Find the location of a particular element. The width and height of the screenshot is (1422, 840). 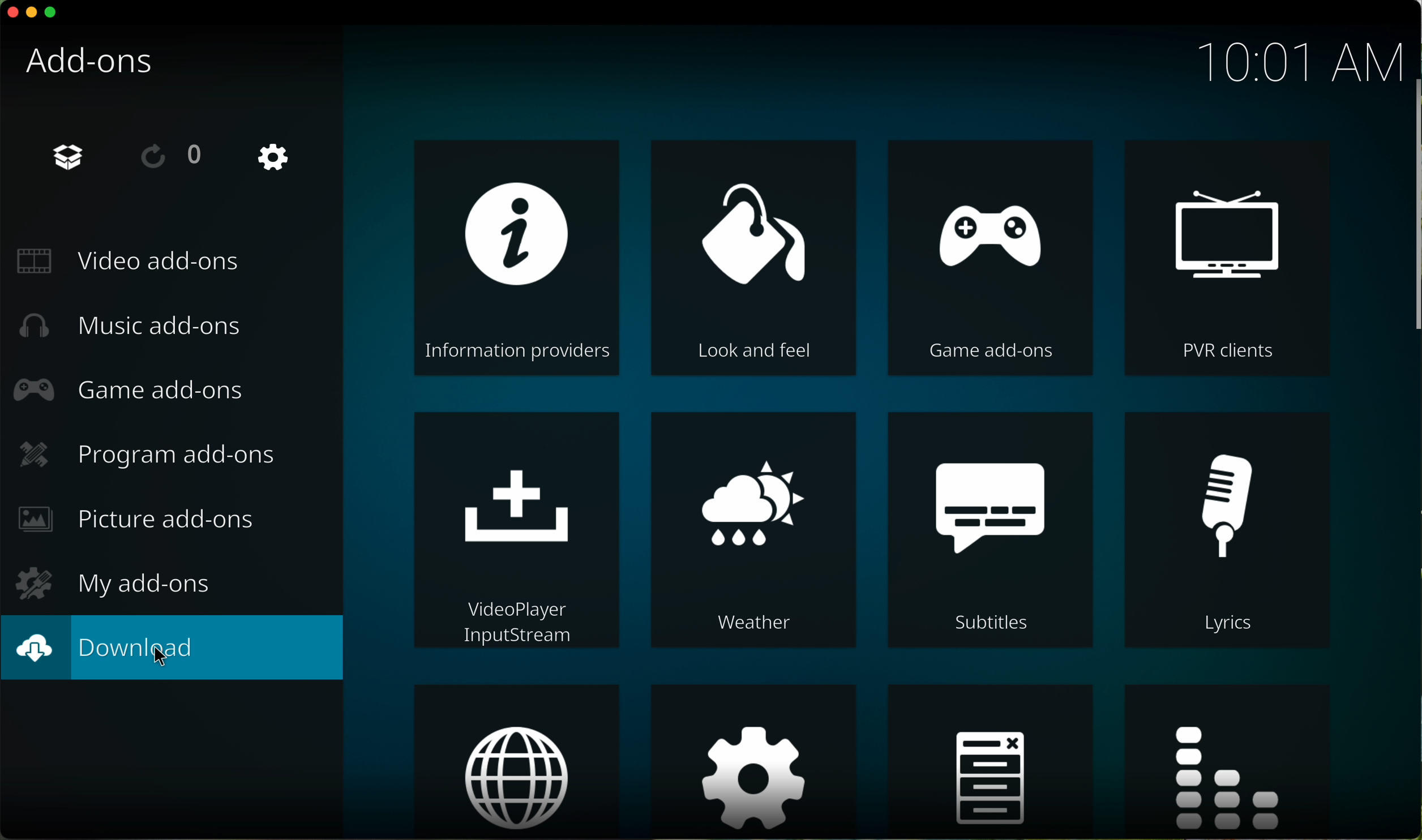

add-ons is located at coordinates (67, 157).